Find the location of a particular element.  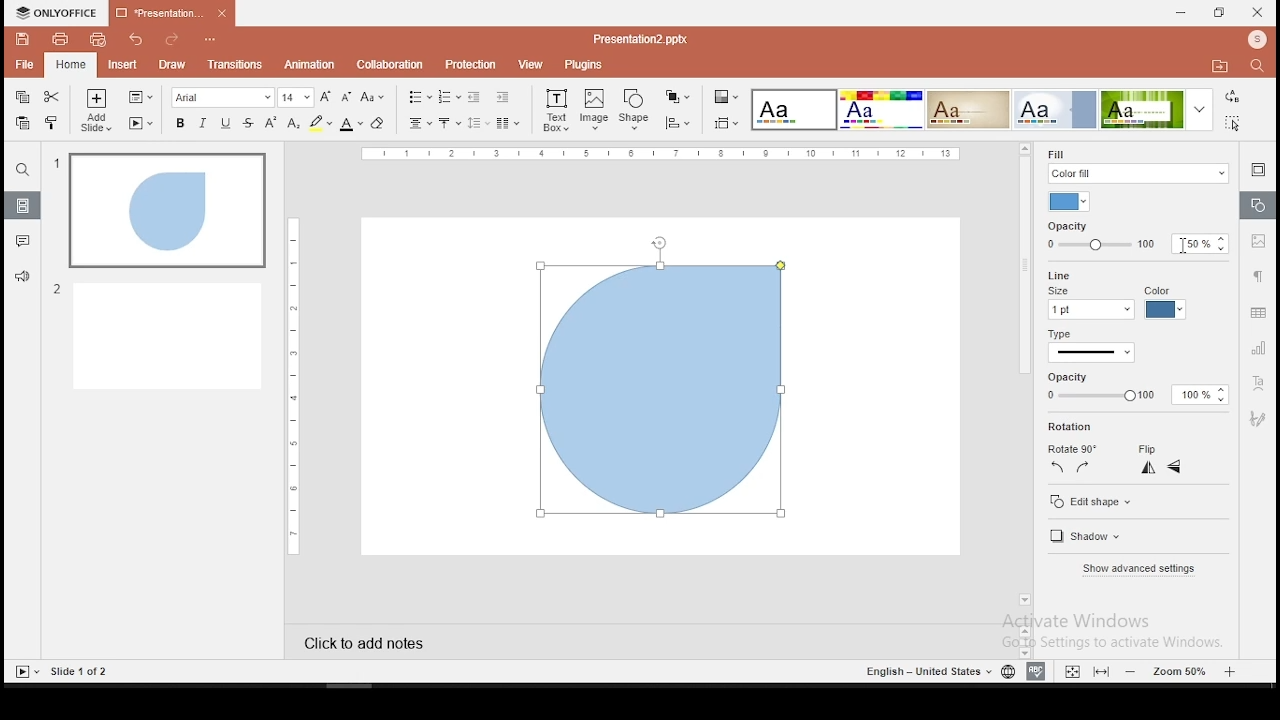

opacity is located at coordinates (1130, 388).